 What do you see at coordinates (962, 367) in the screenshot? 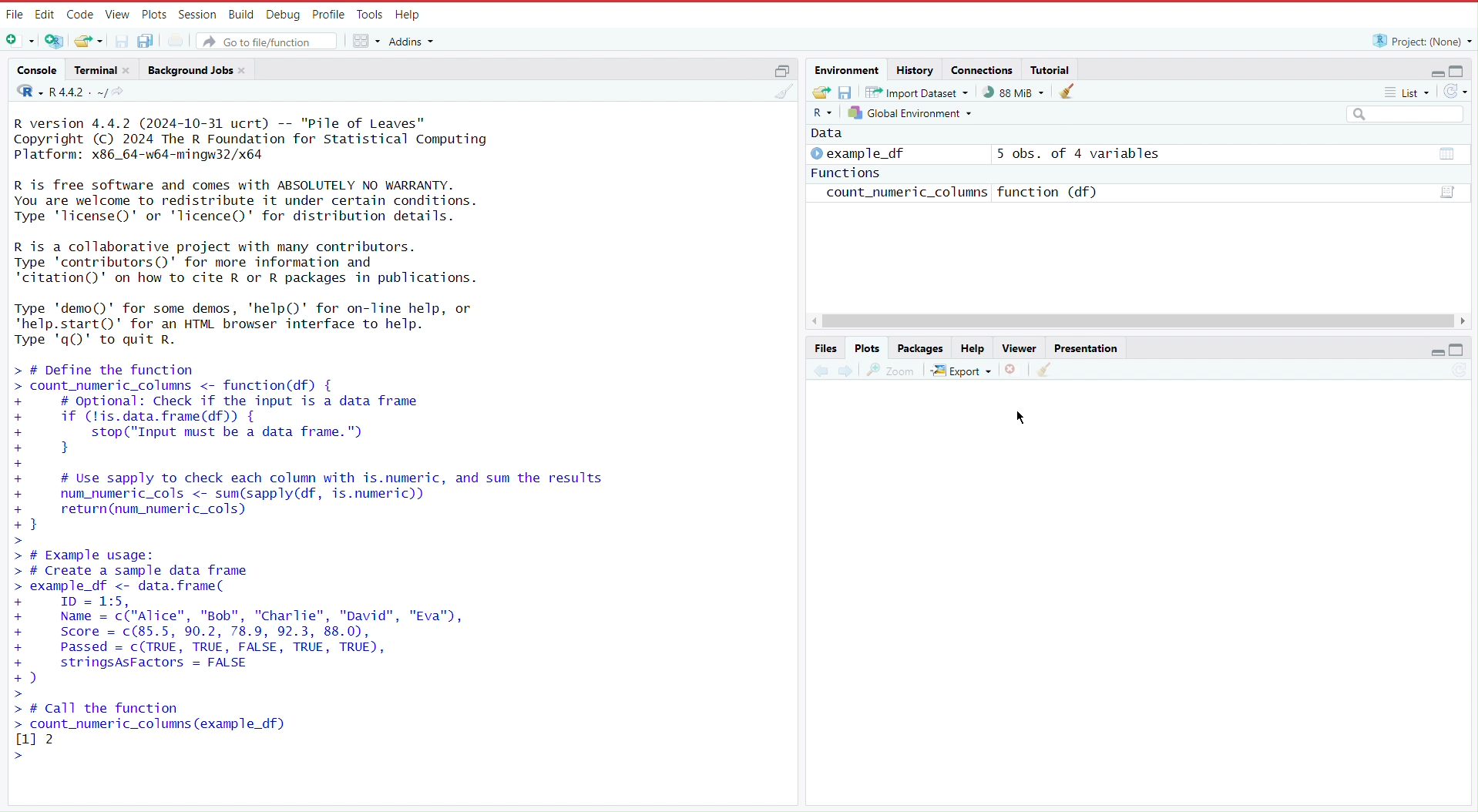
I see `Export` at bounding box center [962, 367].